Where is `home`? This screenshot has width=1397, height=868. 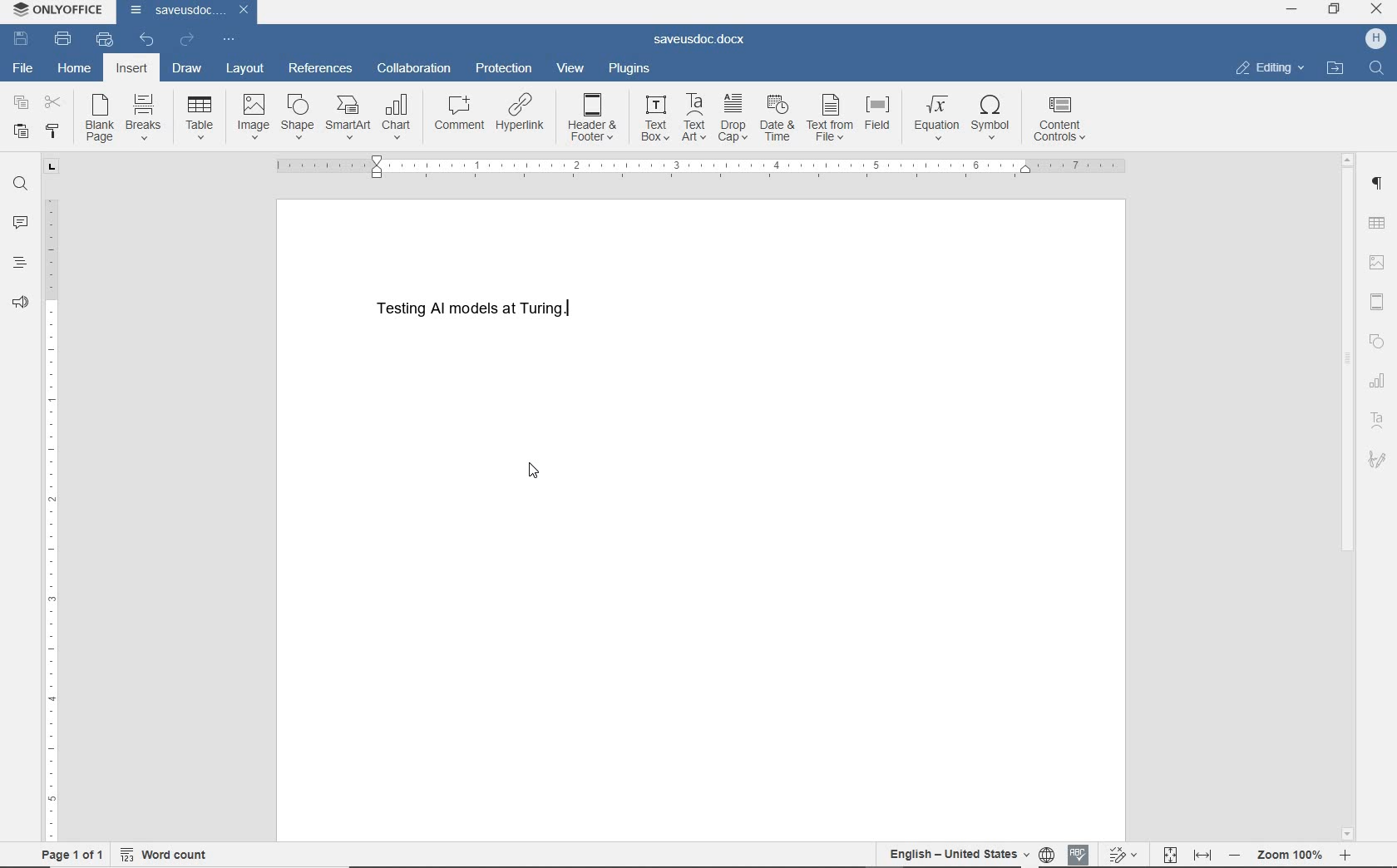 home is located at coordinates (76, 72).